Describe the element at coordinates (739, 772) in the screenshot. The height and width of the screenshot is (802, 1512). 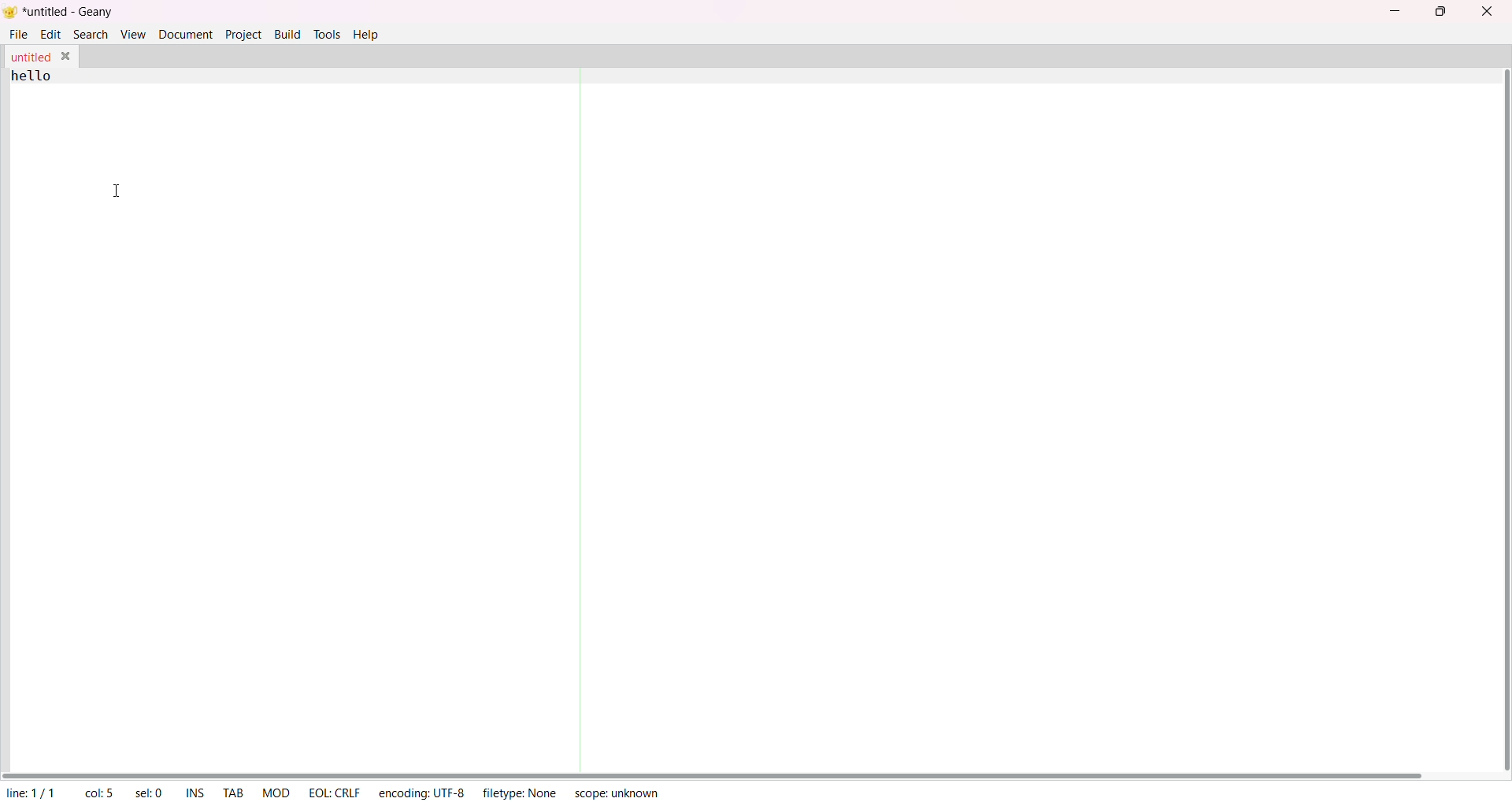
I see `horizontal scroll bar` at that location.